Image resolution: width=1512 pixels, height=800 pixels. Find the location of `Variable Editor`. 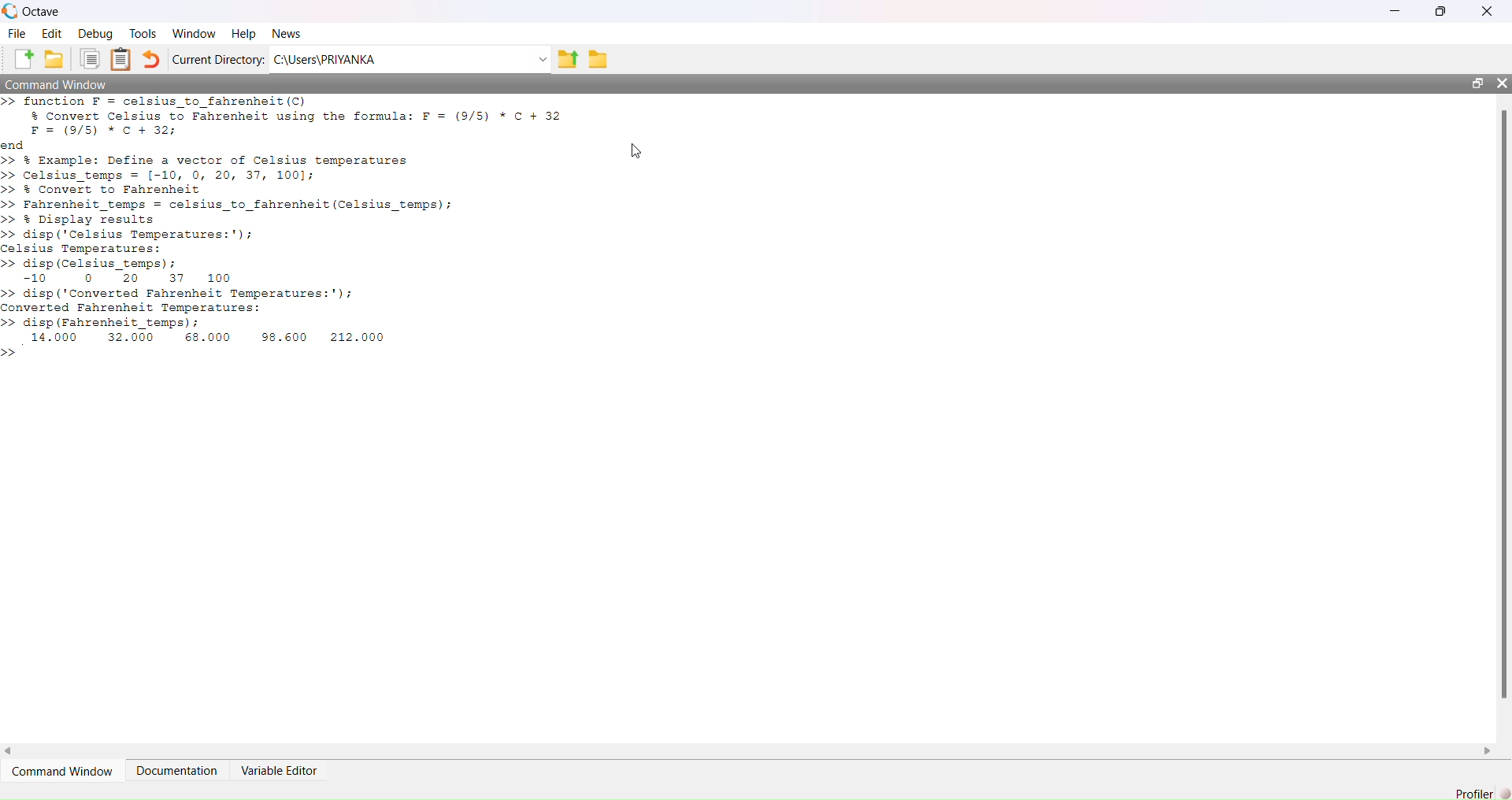

Variable Editor is located at coordinates (278, 770).